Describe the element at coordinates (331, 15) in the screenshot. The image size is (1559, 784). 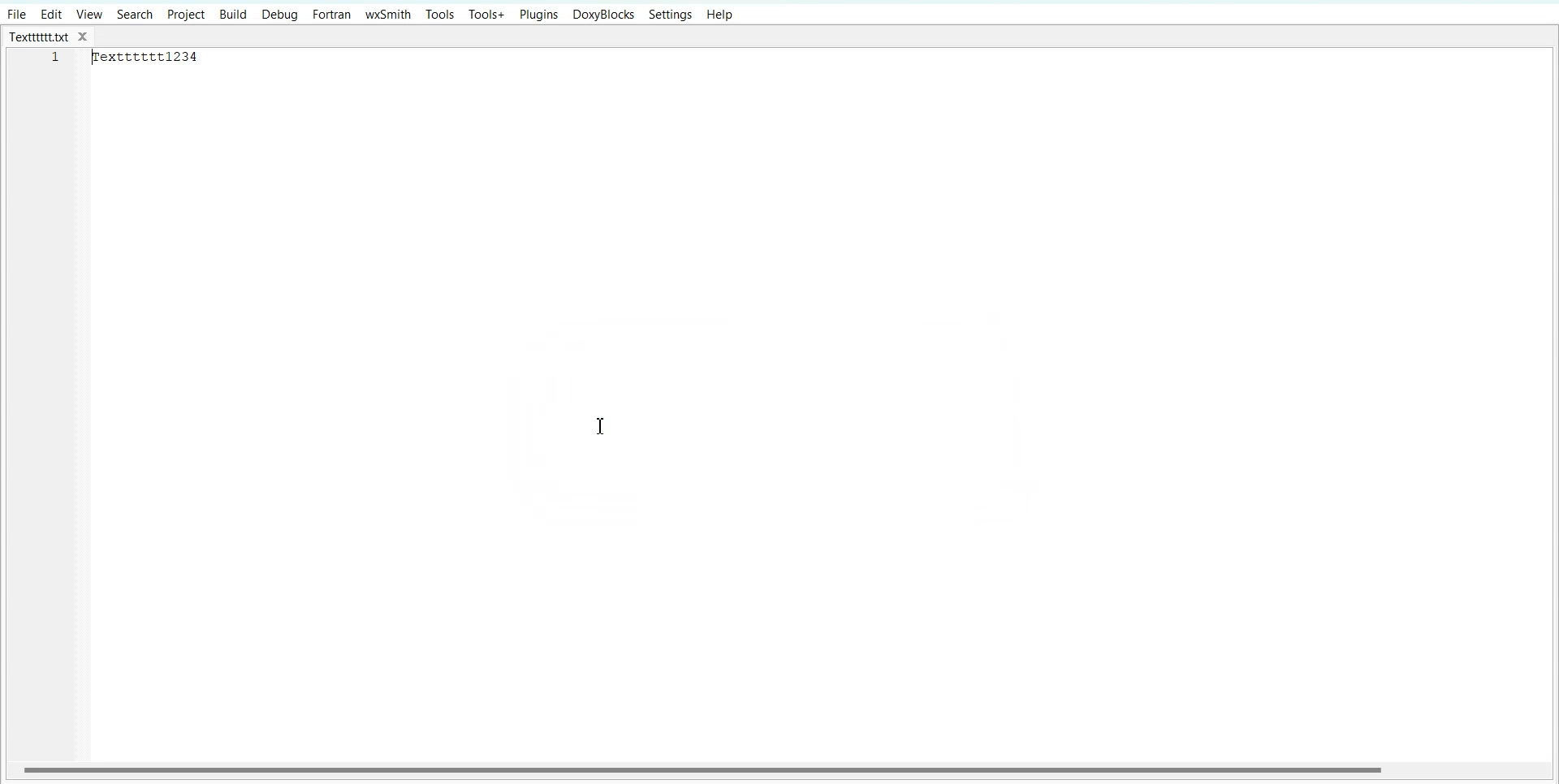
I see `Fortran` at that location.